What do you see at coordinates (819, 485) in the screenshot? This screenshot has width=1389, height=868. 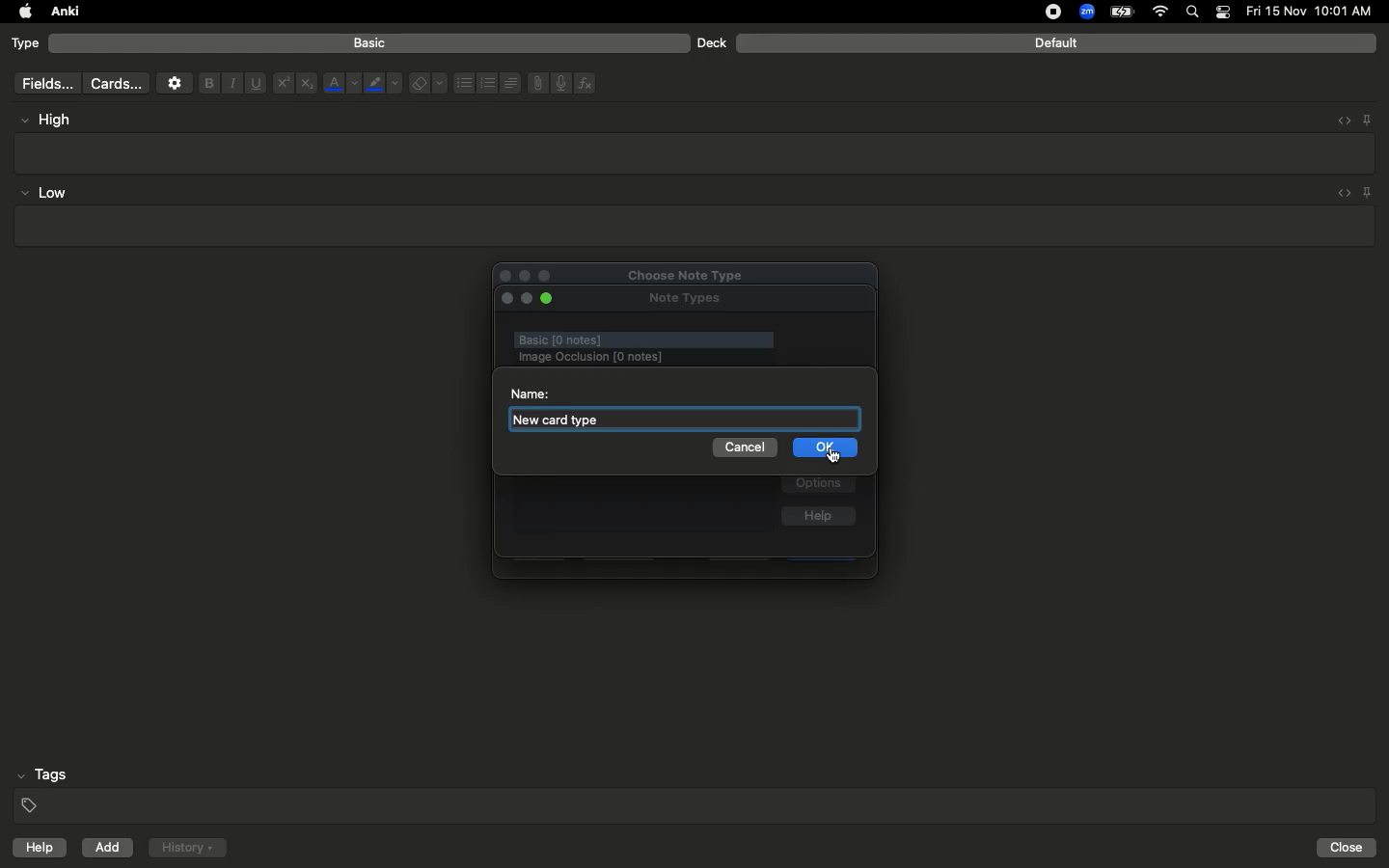 I see `options` at bounding box center [819, 485].